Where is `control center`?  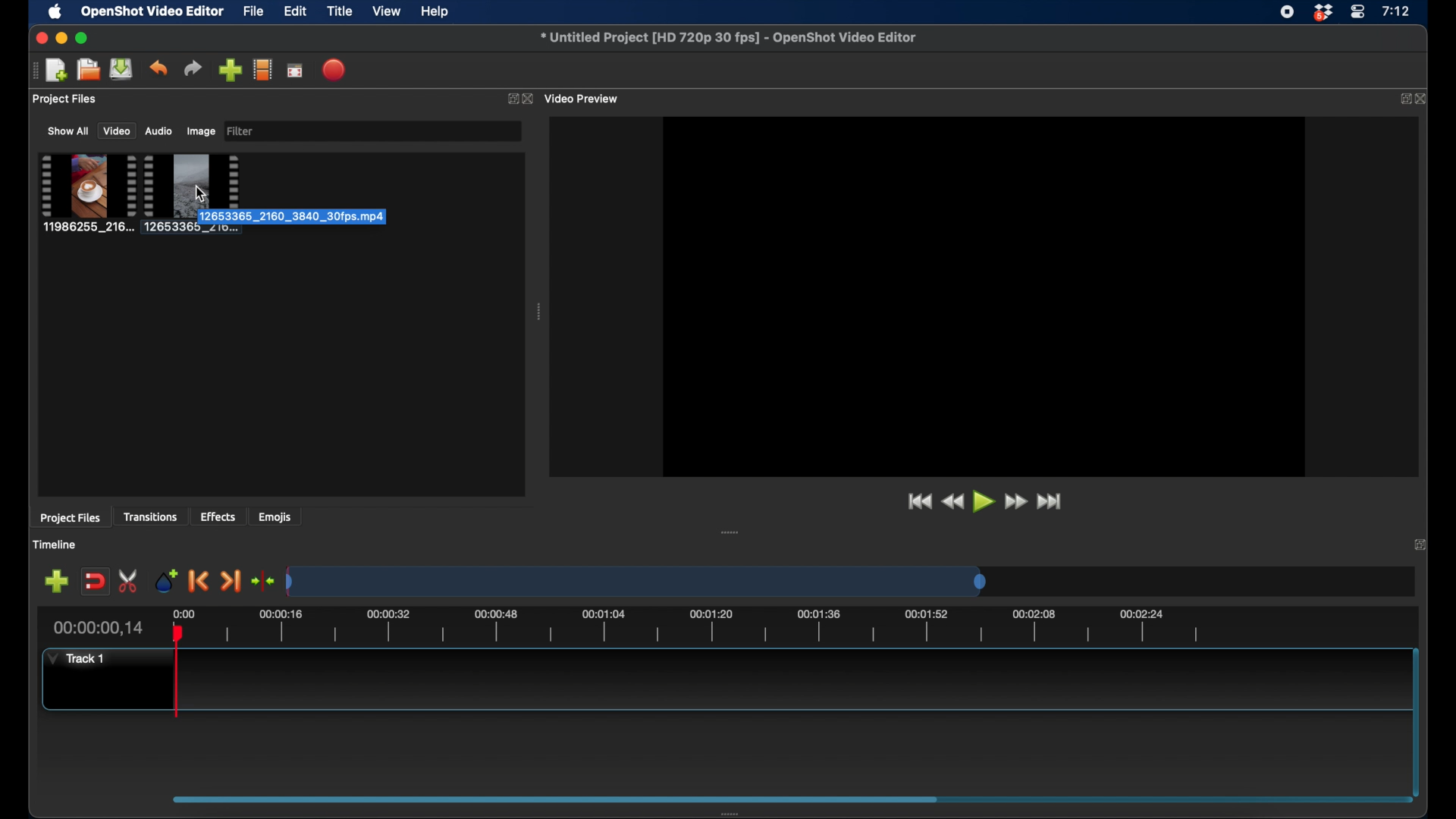 control center is located at coordinates (1357, 12).